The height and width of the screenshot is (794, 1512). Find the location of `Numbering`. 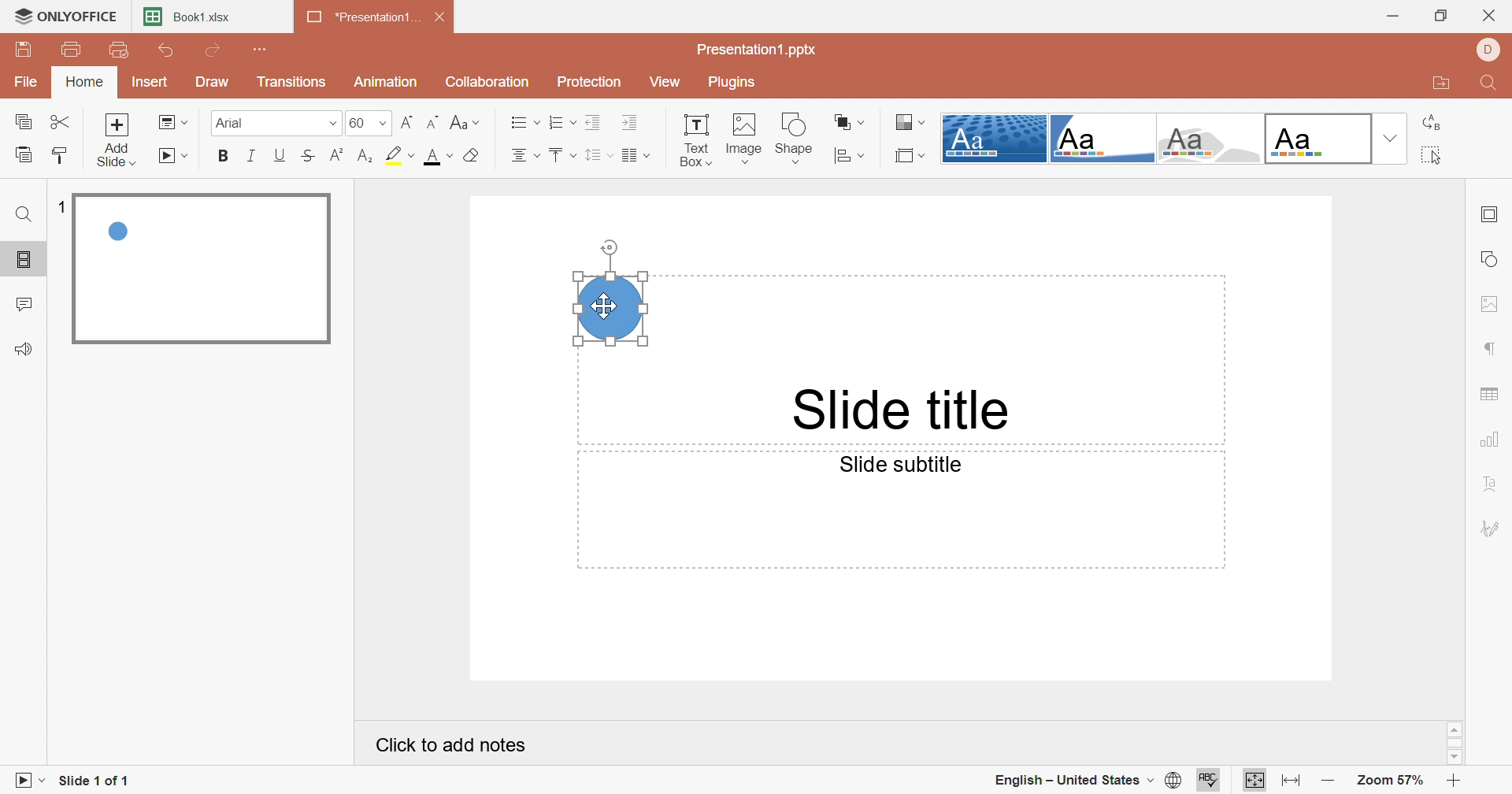

Numbering is located at coordinates (561, 121).